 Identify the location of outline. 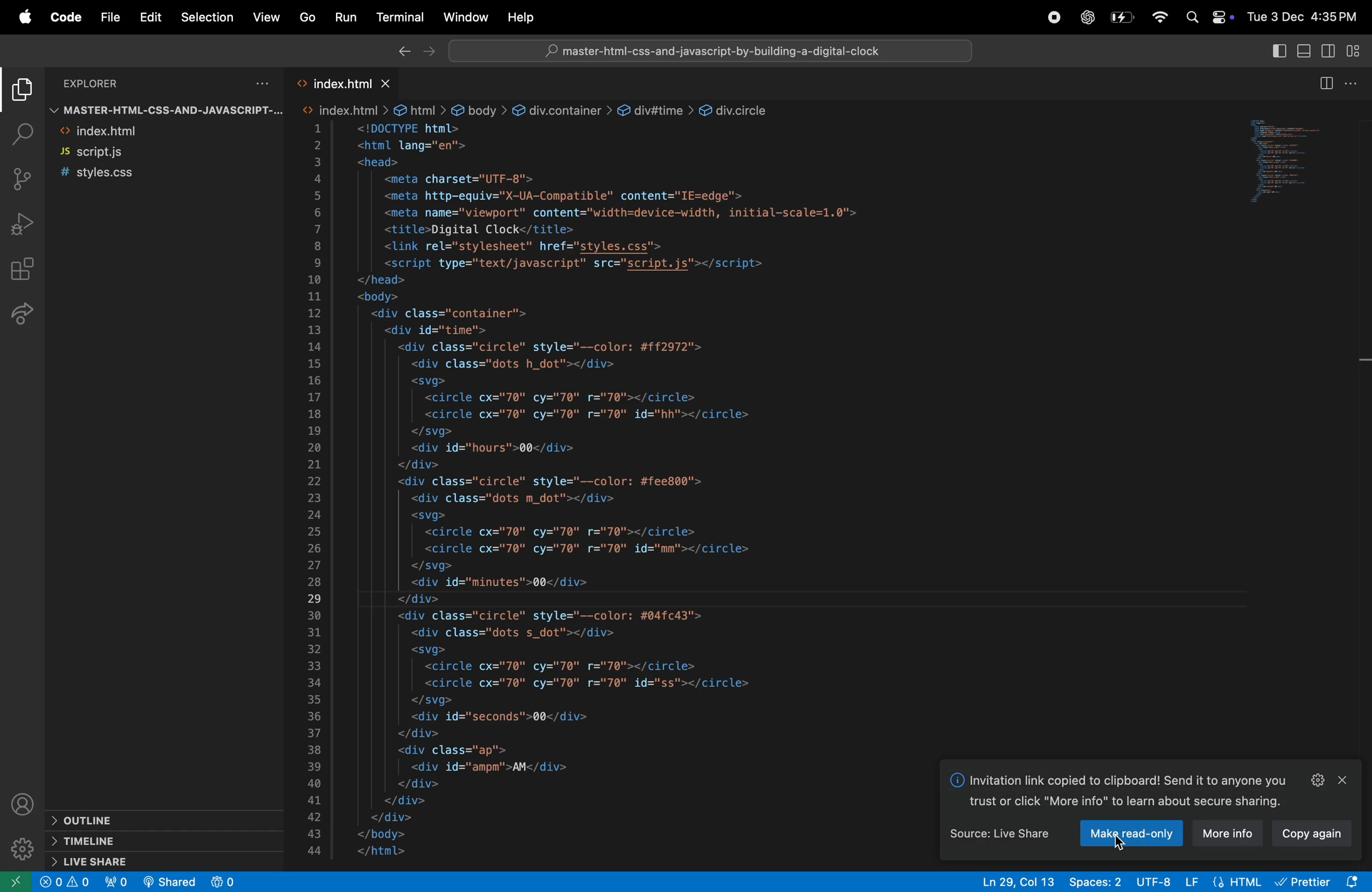
(89, 817).